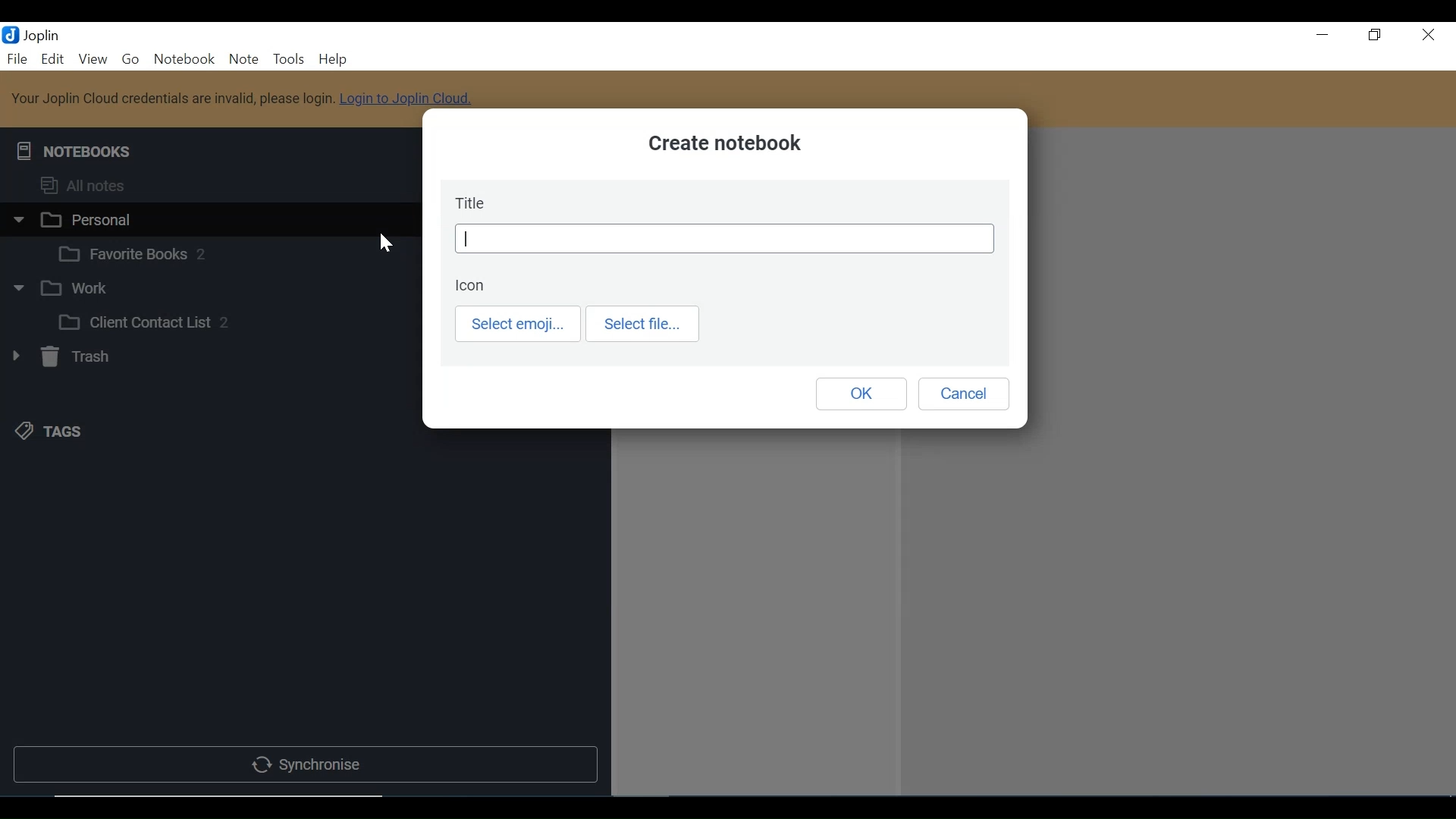  What do you see at coordinates (224, 322) in the screenshot?
I see `Notebook` at bounding box center [224, 322].